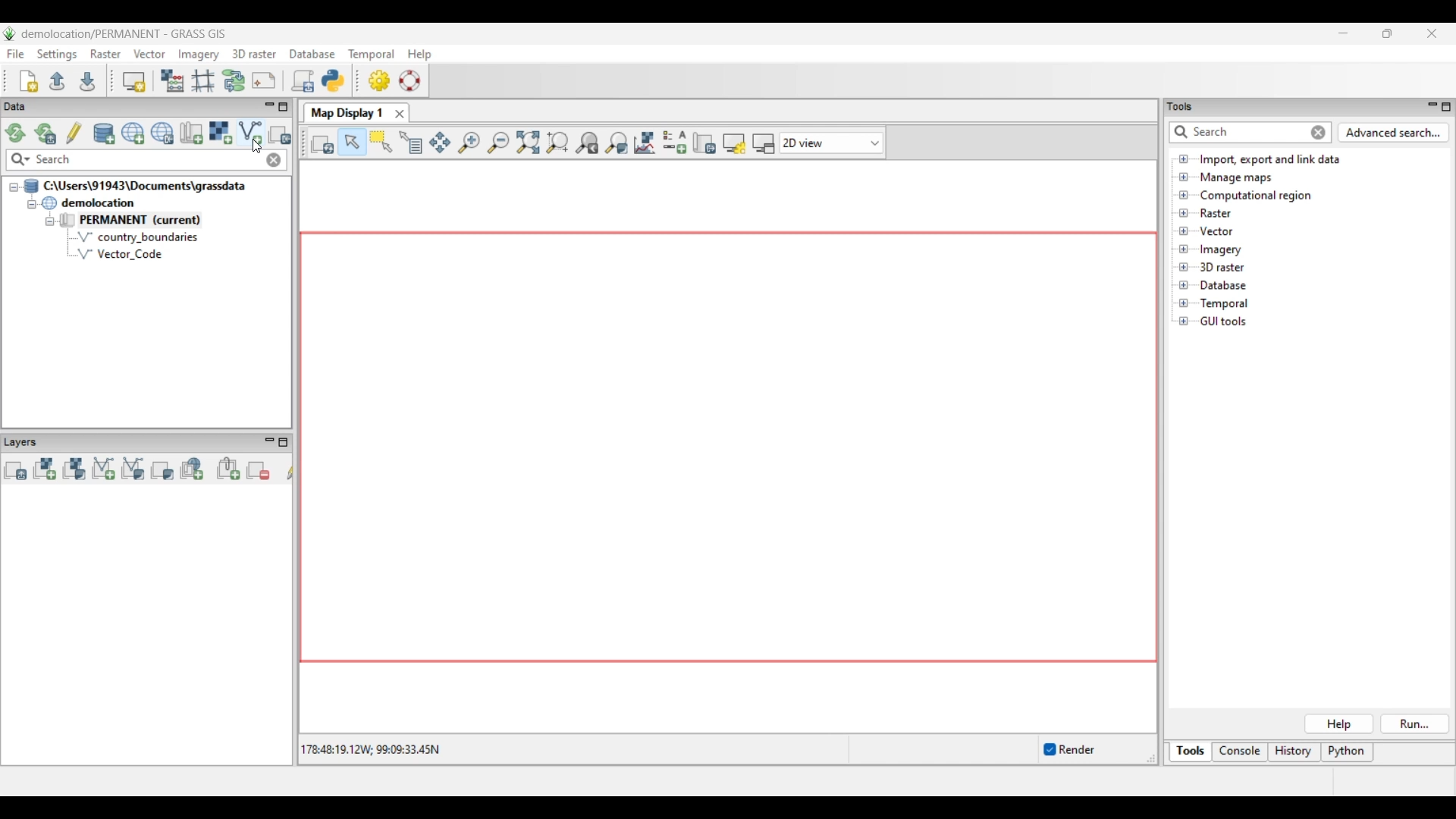  Describe the element at coordinates (219, 133) in the screenshot. I see `Import raster data` at that location.